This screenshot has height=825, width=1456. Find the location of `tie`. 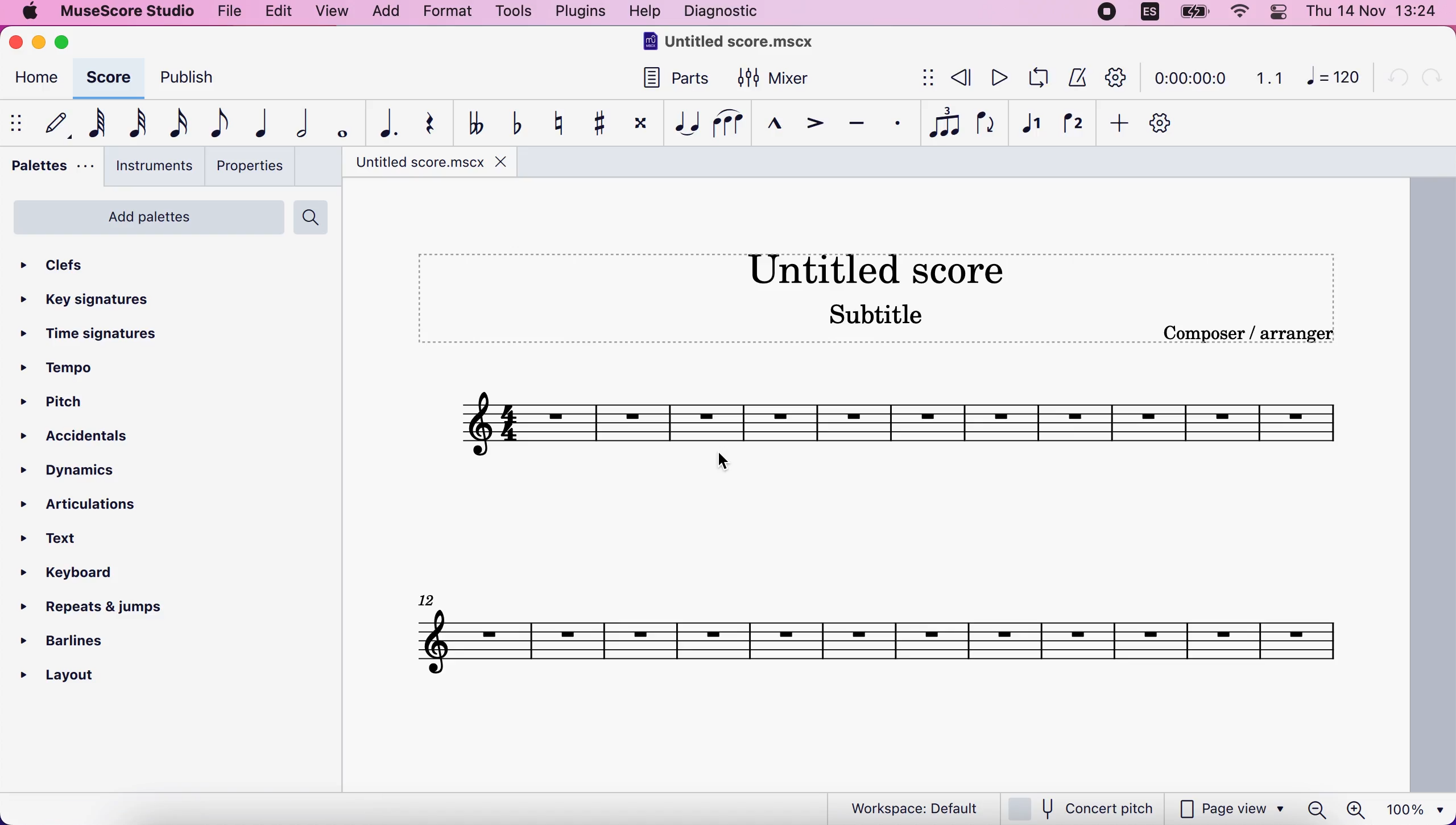

tie is located at coordinates (682, 125).